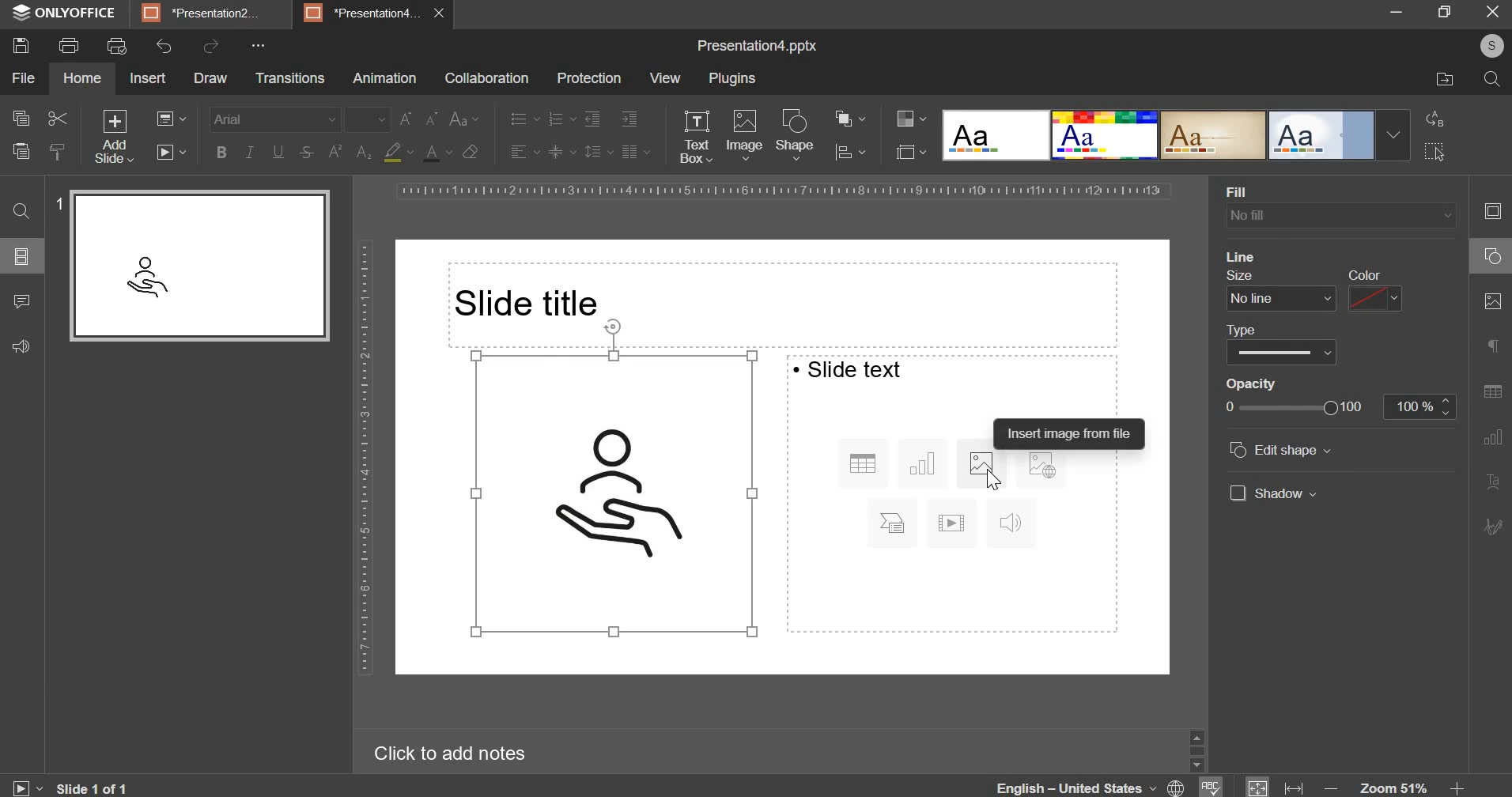 Image resolution: width=1512 pixels, height=797 pixels. Describe the element at coordinates (758, 46) in the screenshot. I see `Presentation4.pptx` at that location.